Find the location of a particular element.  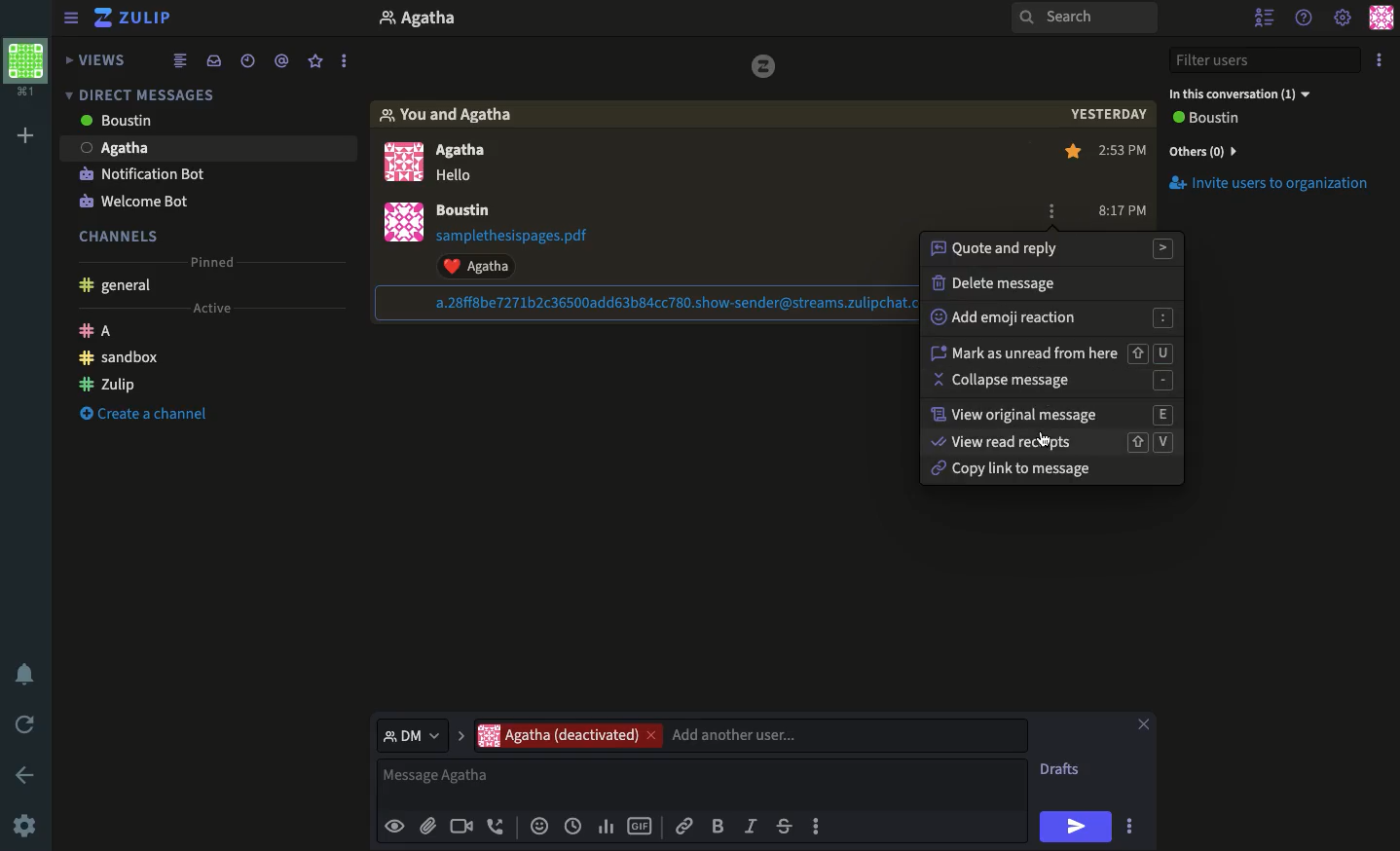

Italics is located at coordinates (751, 825).